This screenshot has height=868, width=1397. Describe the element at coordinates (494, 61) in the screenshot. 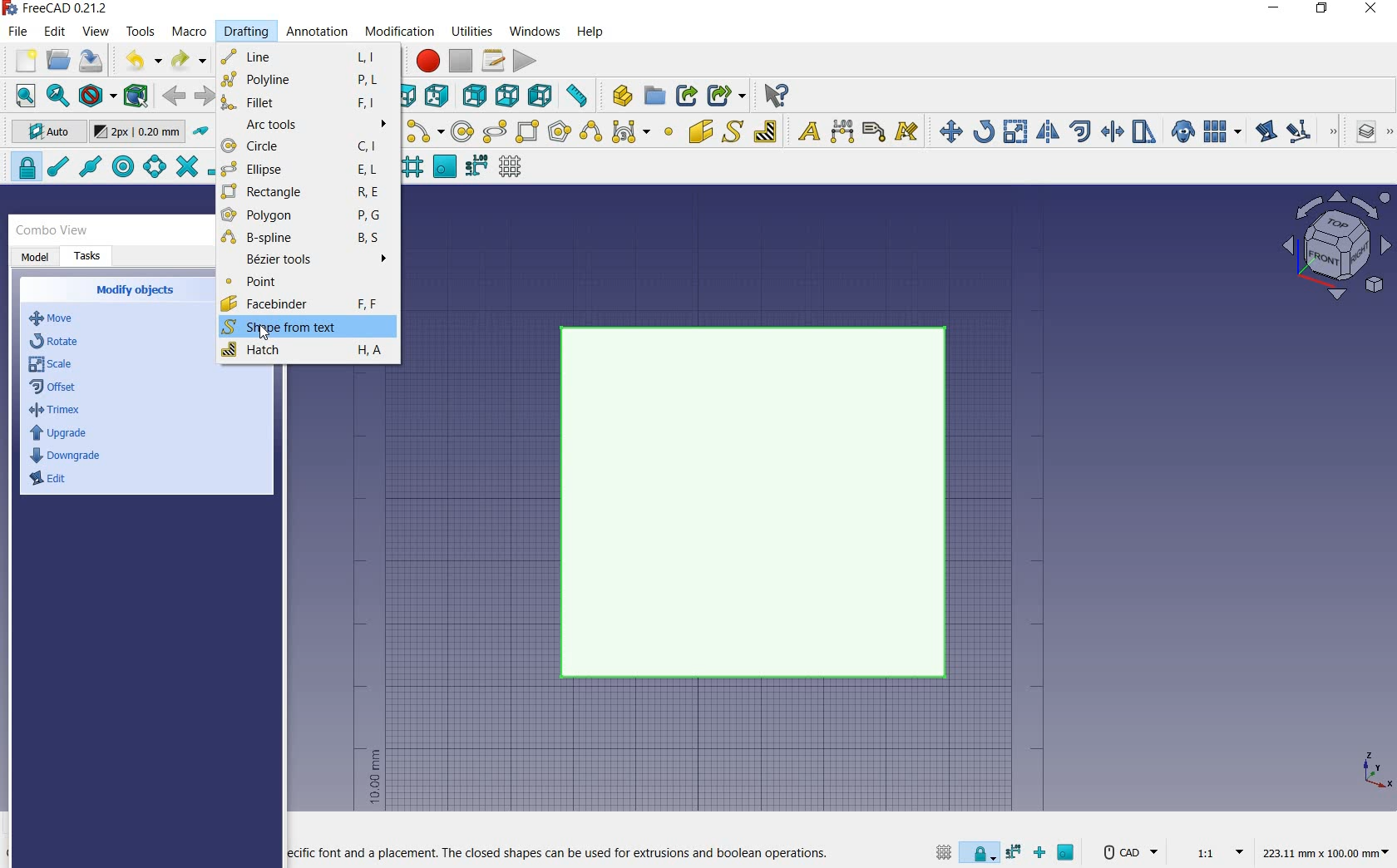

I see `macros` at that location.